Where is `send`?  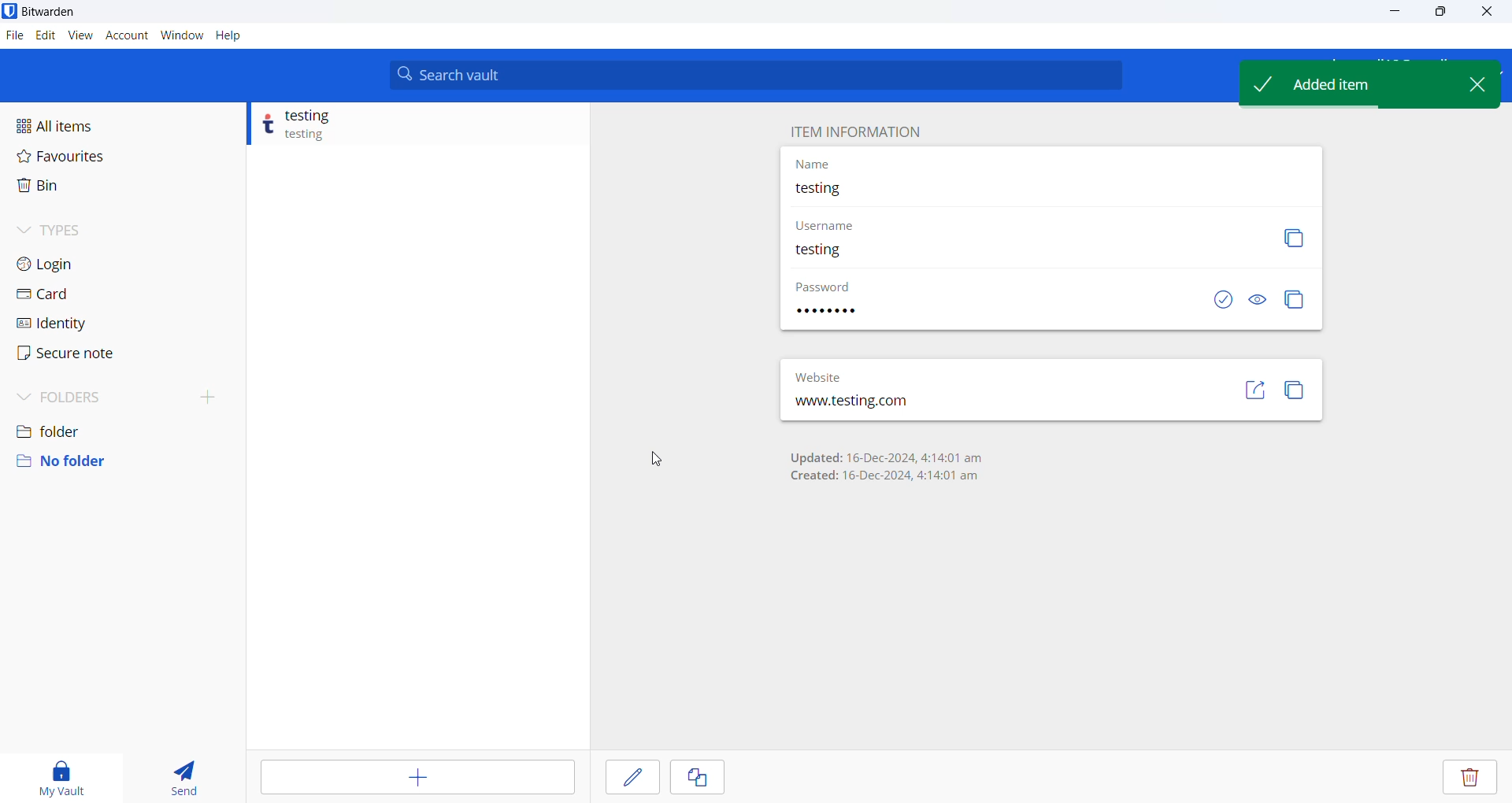 send is located at coordinates (186, 775).